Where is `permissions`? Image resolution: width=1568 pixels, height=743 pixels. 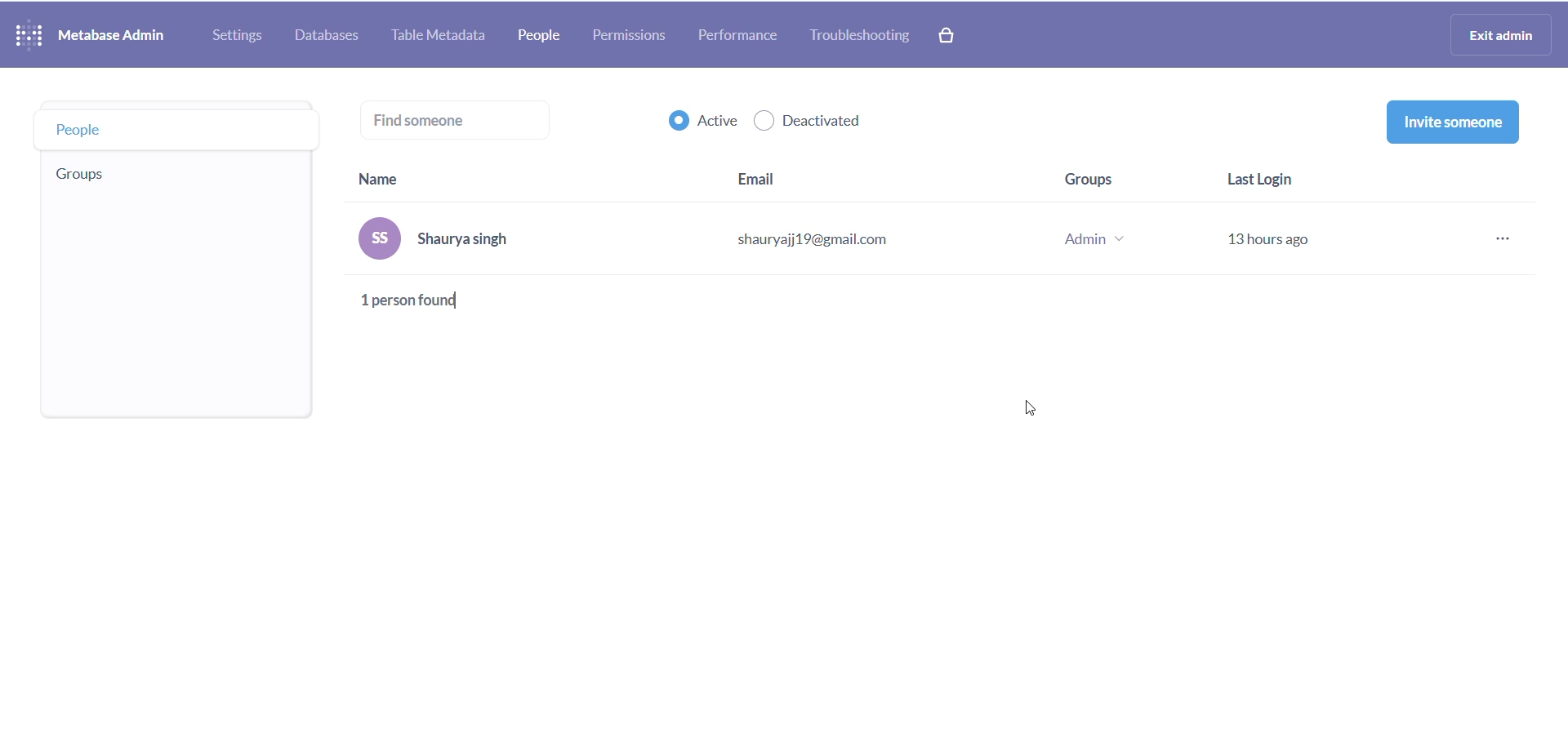 permissions is located at coordinates (633, 36).